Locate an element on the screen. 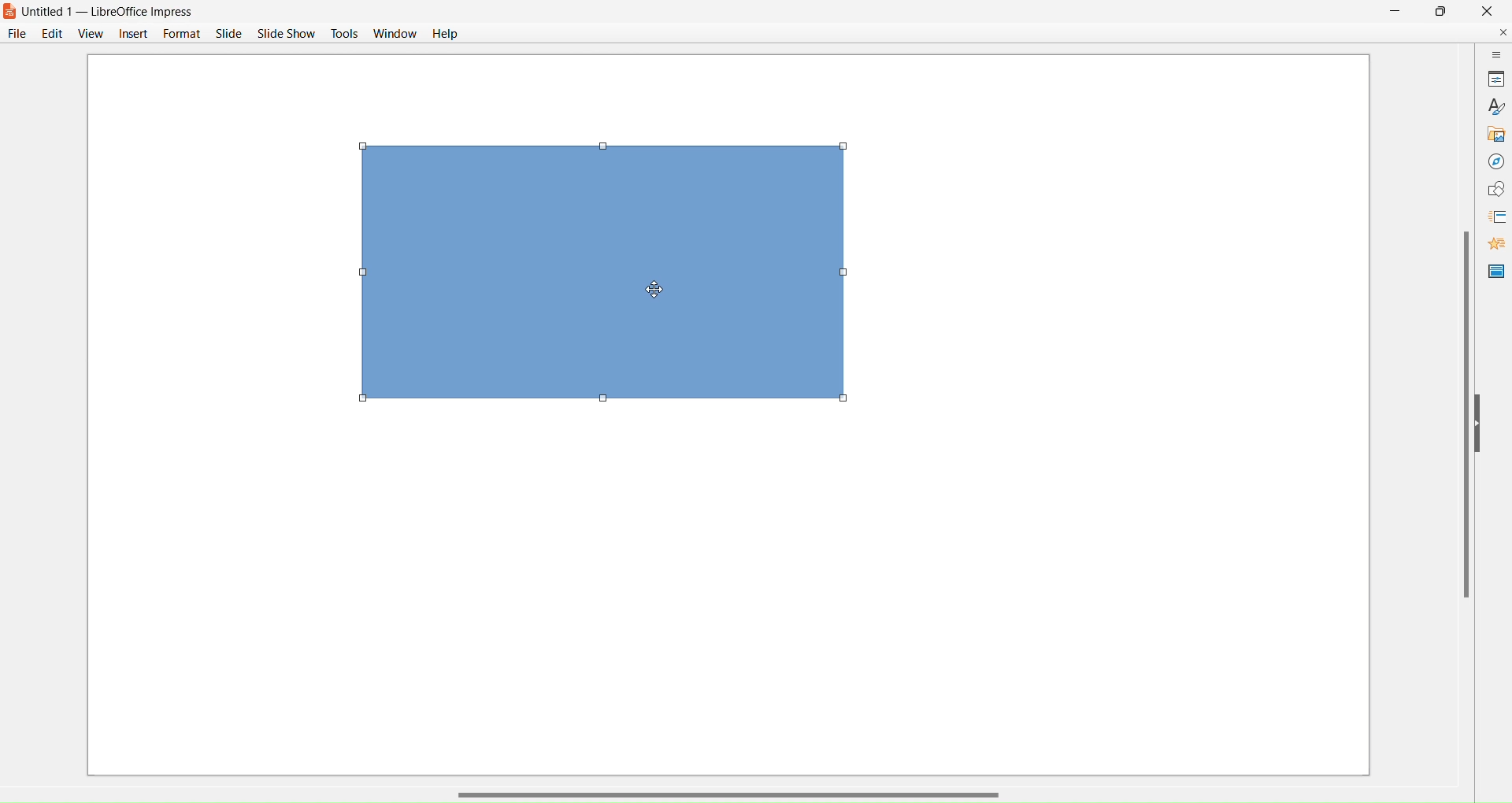 This screenshot has height=803, width=1512. Properties is located at coordinates (1494, 76).